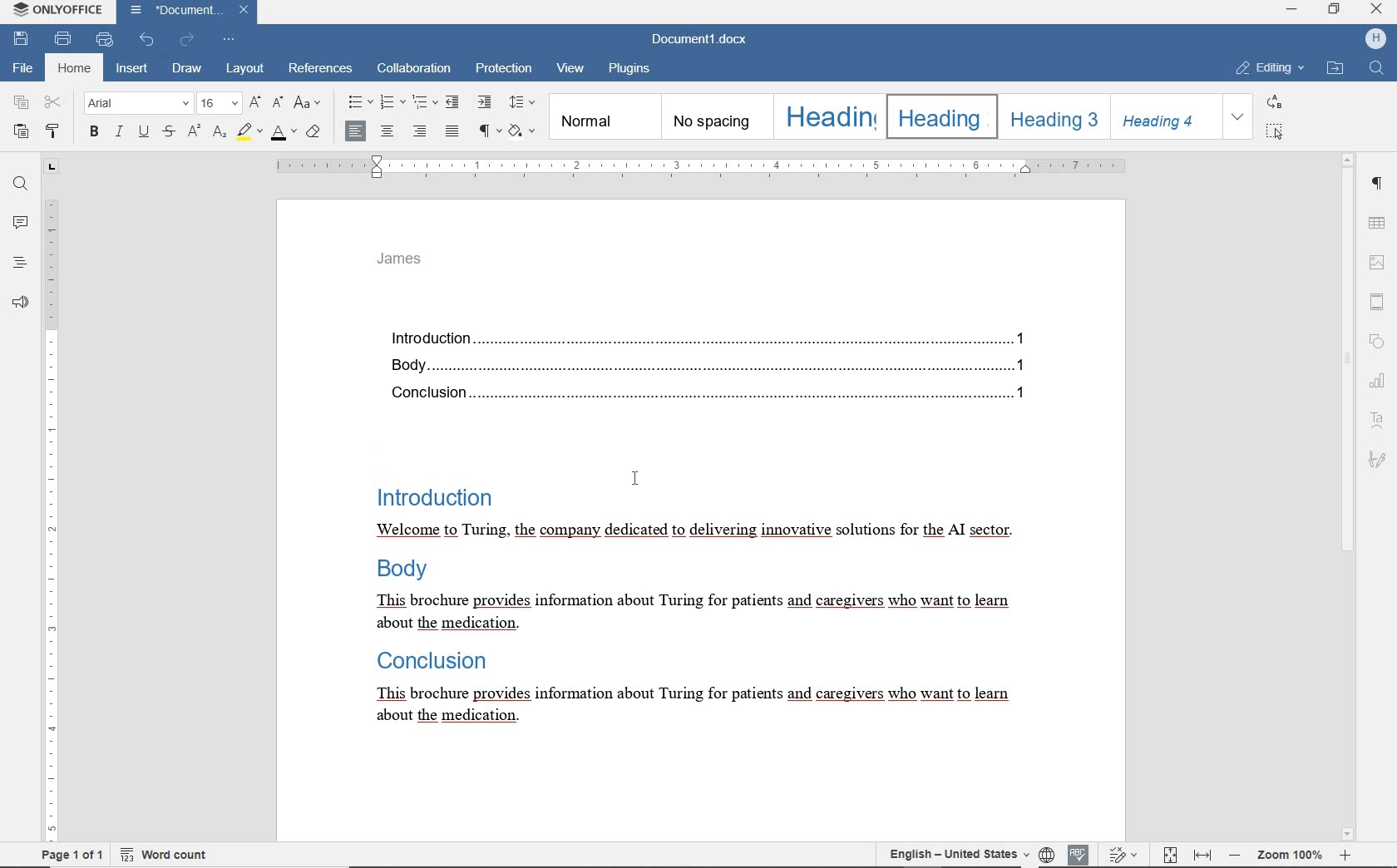 The width and height of the screenshot is (1397, 868). Describe the element at coordinates (1375, 9) in the screenshot. I see `CLOSE` at that location.